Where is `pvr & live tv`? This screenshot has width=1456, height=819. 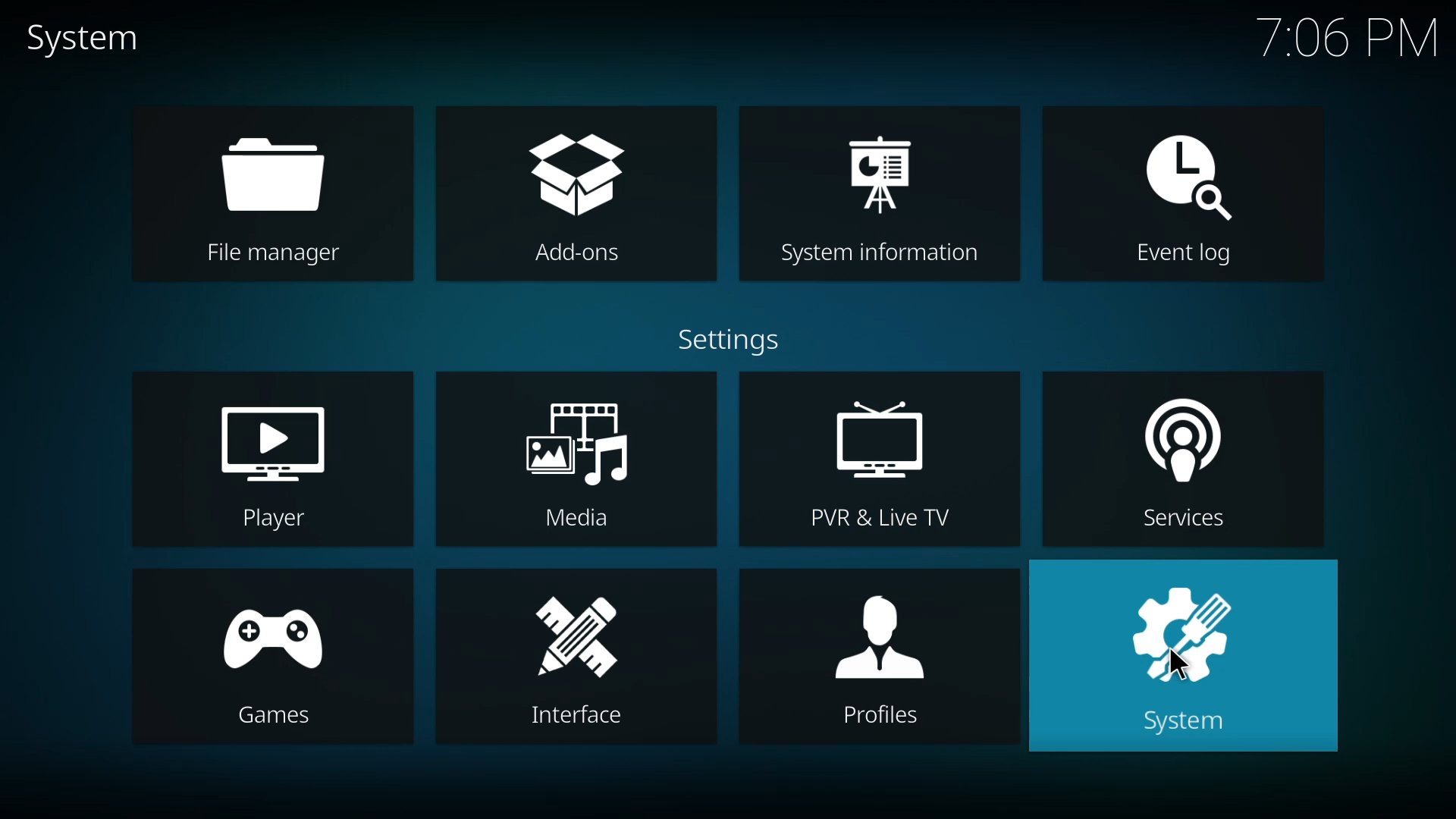
pvr & live tv is located at coordinates (883, 463).